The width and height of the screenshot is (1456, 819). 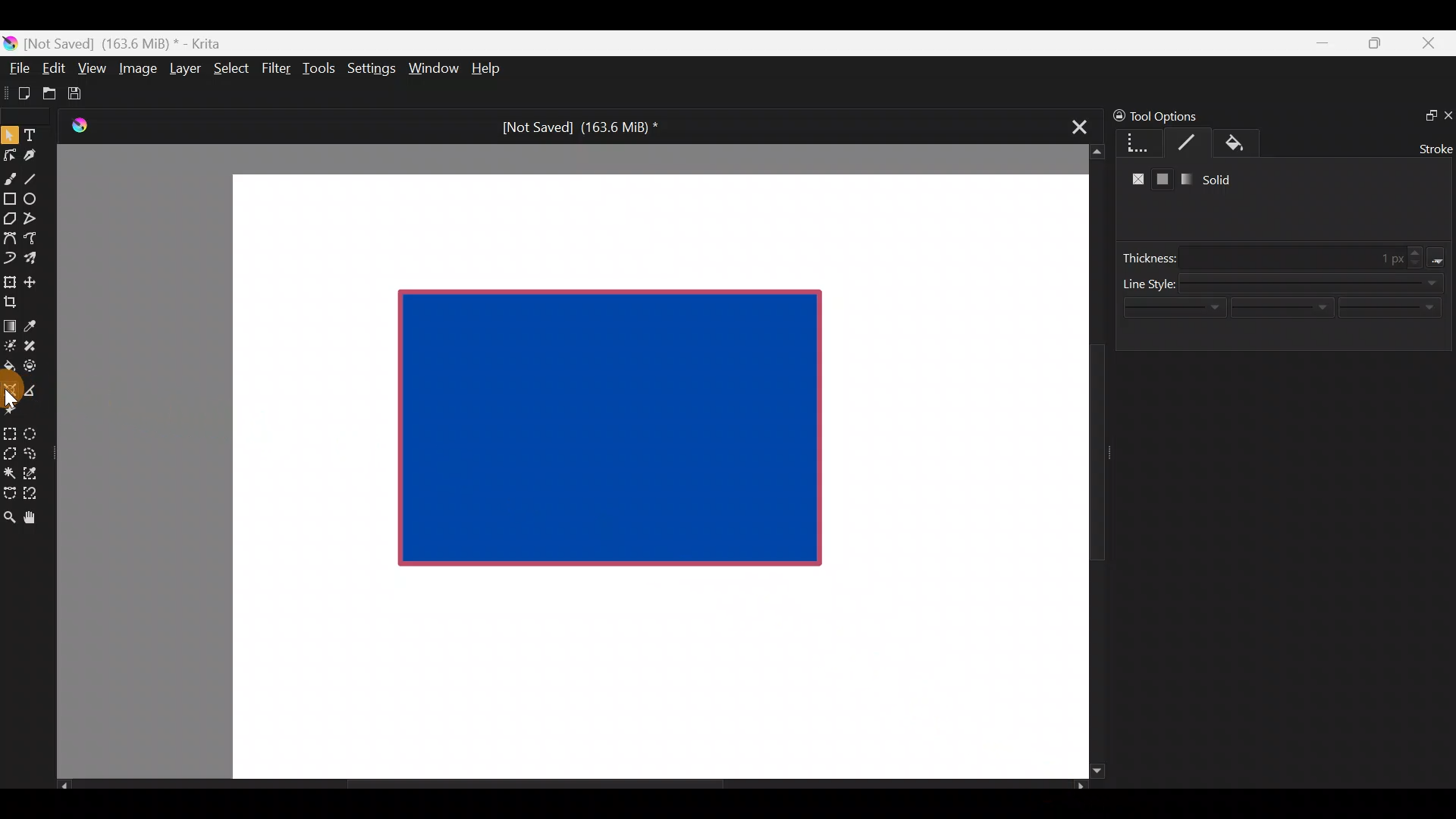 I want to click on Bezier curve selection tool, so click(x=9, y=491).